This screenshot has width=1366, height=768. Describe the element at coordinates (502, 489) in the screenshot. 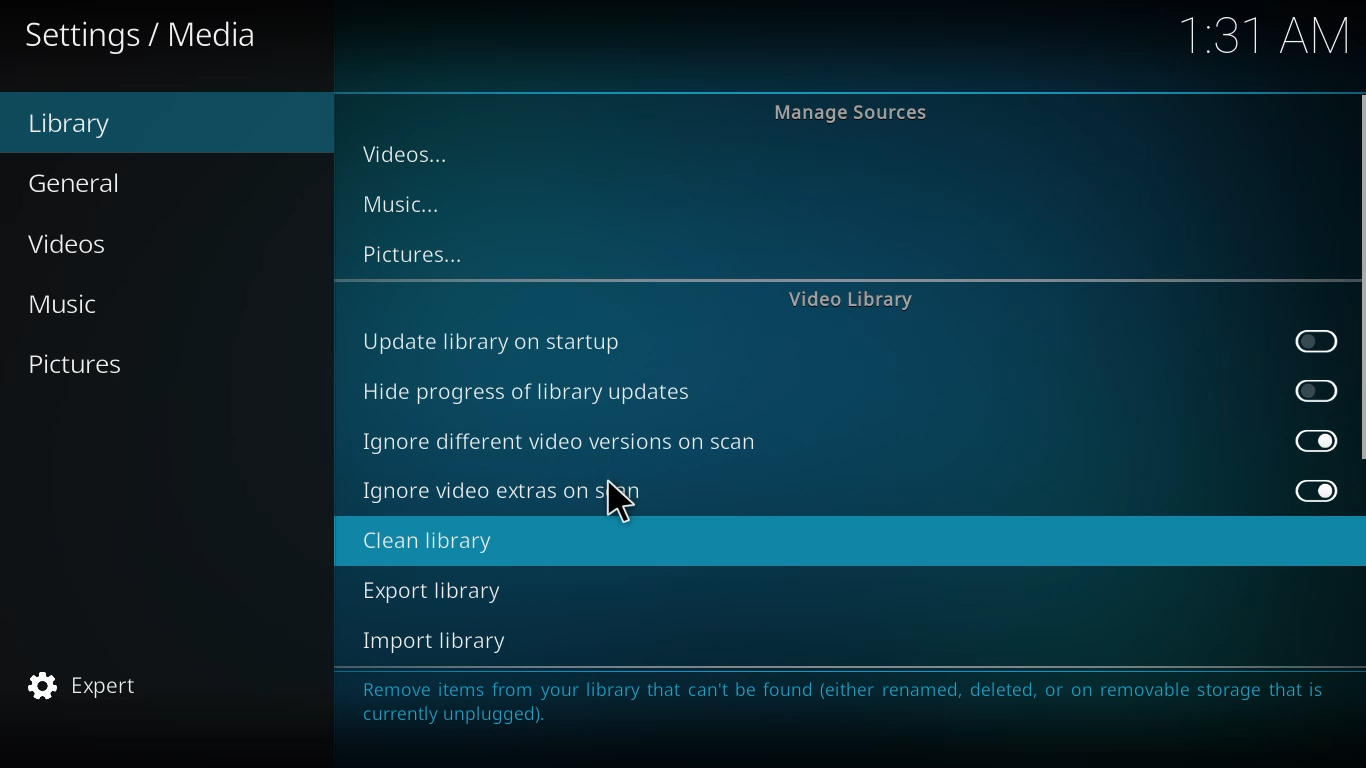

I see `ignore video extras on scan` at that location.